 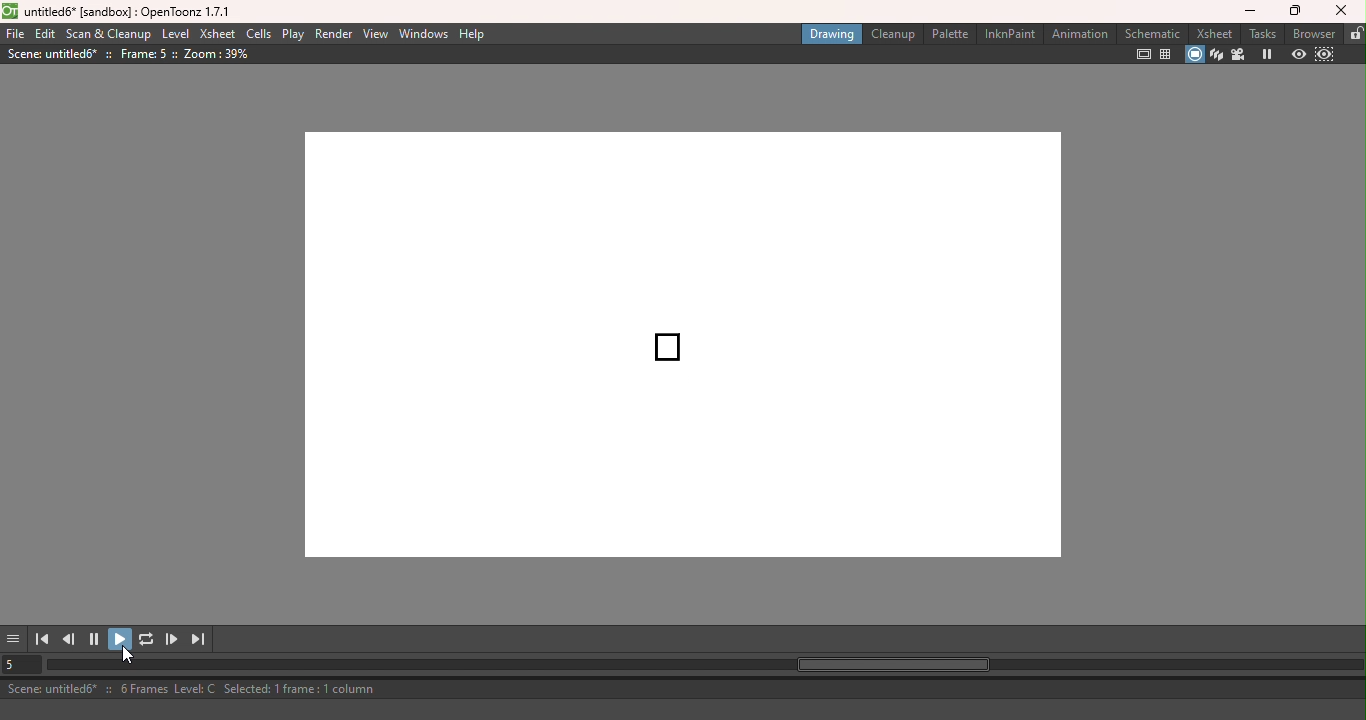 I want to click on Previous frame, so click(x=69, y=640).